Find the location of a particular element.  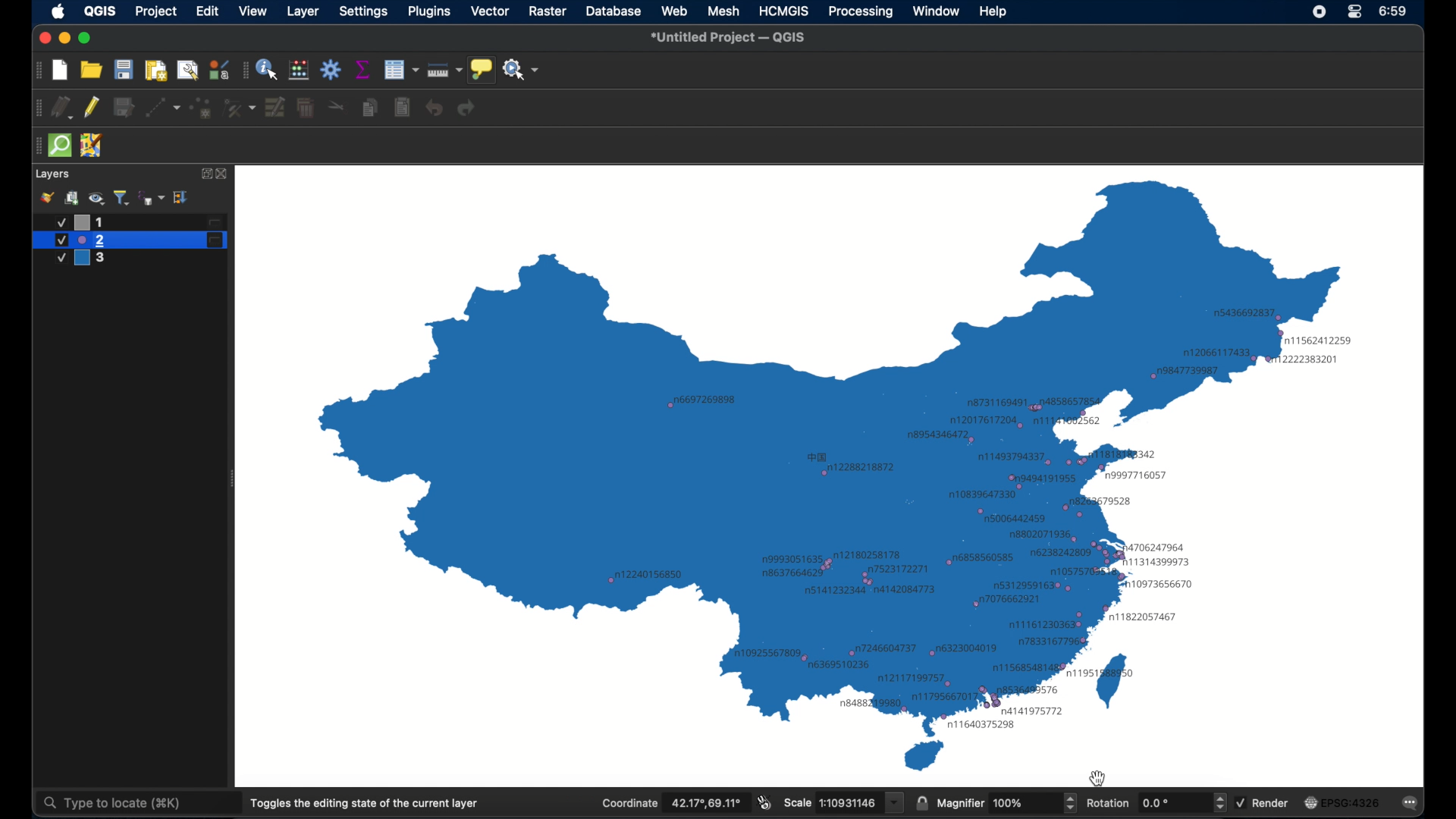

messages is located at coordinates (1411, 804).